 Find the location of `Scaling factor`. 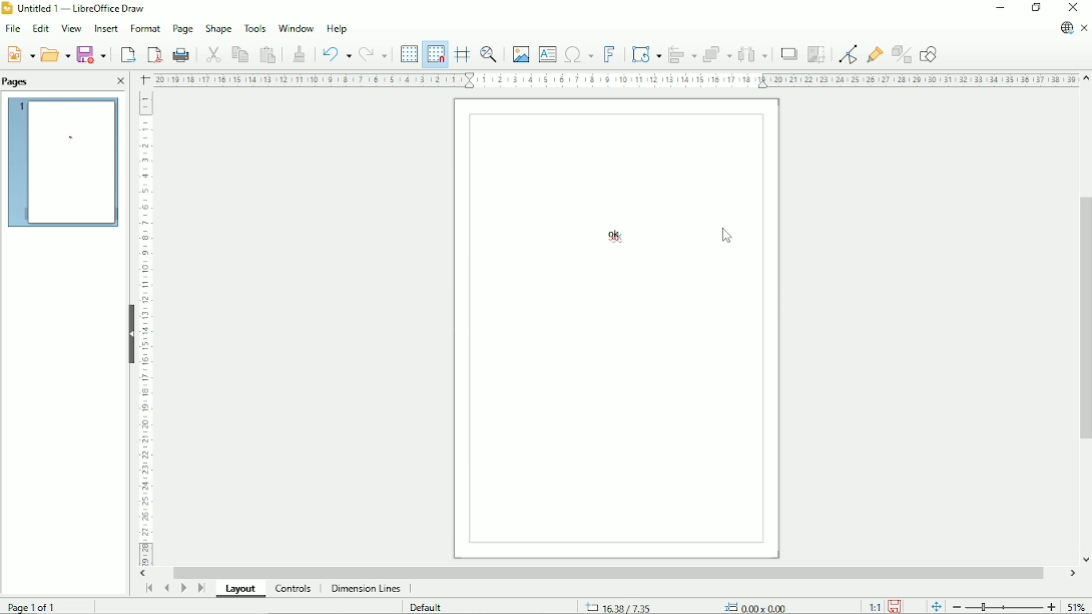

Scaling factor is located at coordinates (874, 606).